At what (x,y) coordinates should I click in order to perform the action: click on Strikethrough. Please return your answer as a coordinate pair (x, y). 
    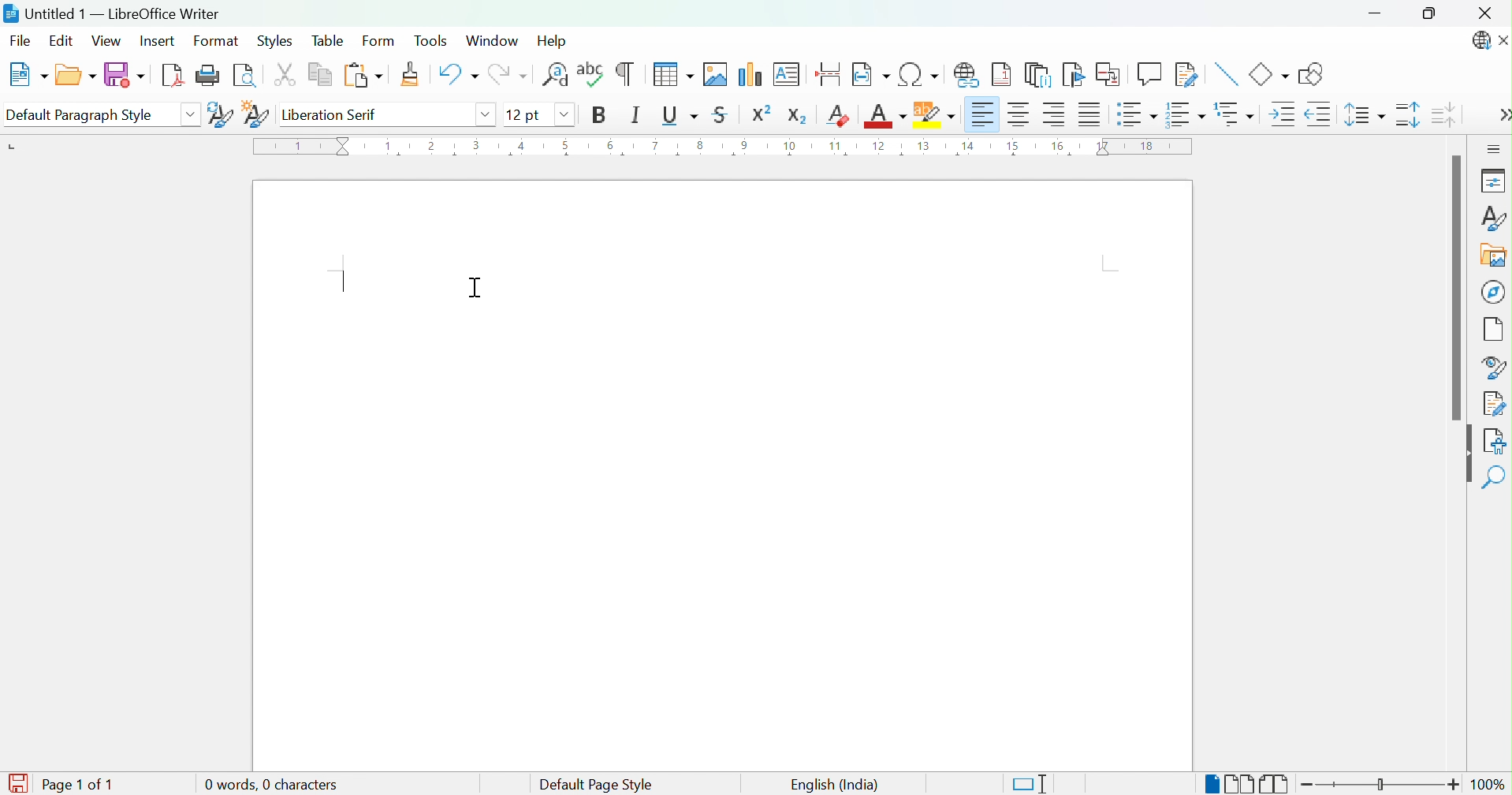
    Looking at the image, I should click on (721, 117).